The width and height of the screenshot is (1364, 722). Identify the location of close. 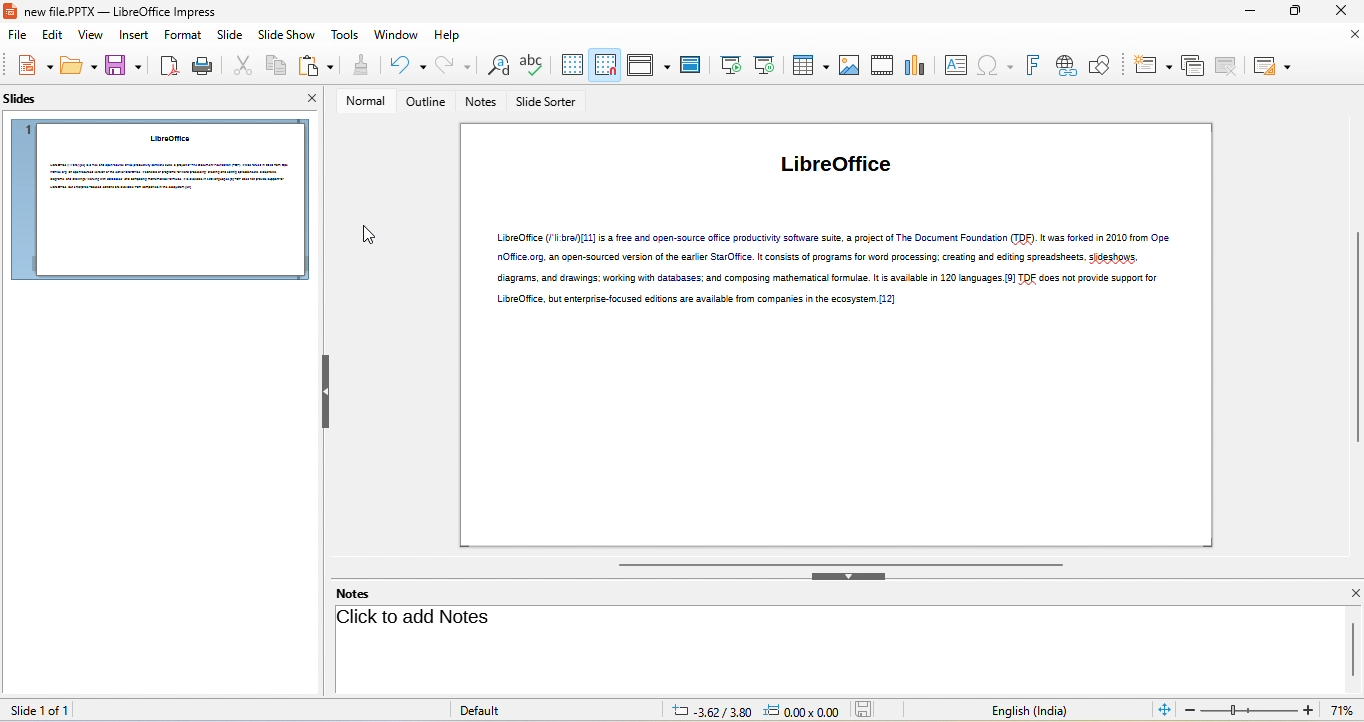
(1352, 37).